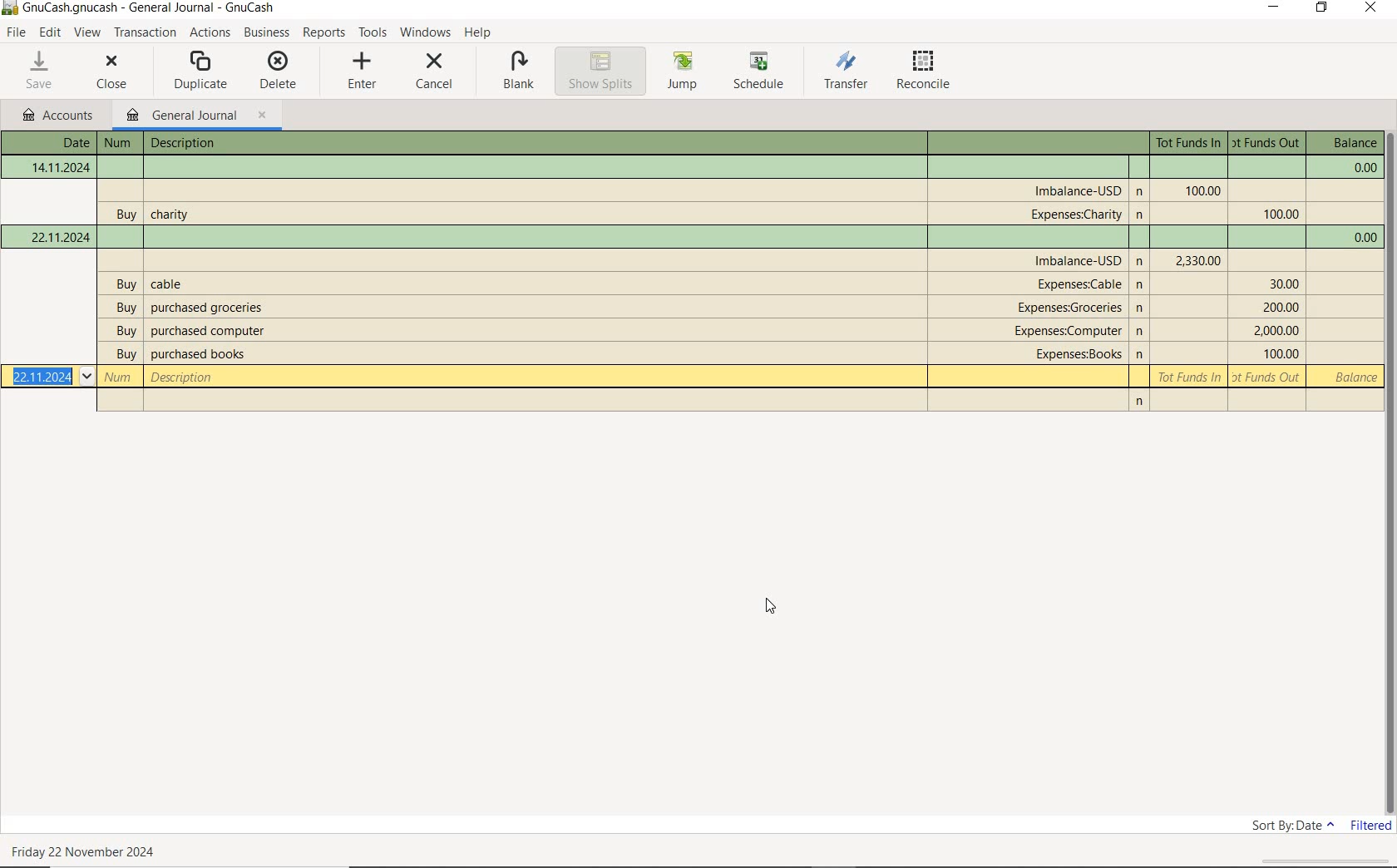  Describe the element at coordinates (201, 70) in the screenshot. I see `DUPLICATE` at that location.